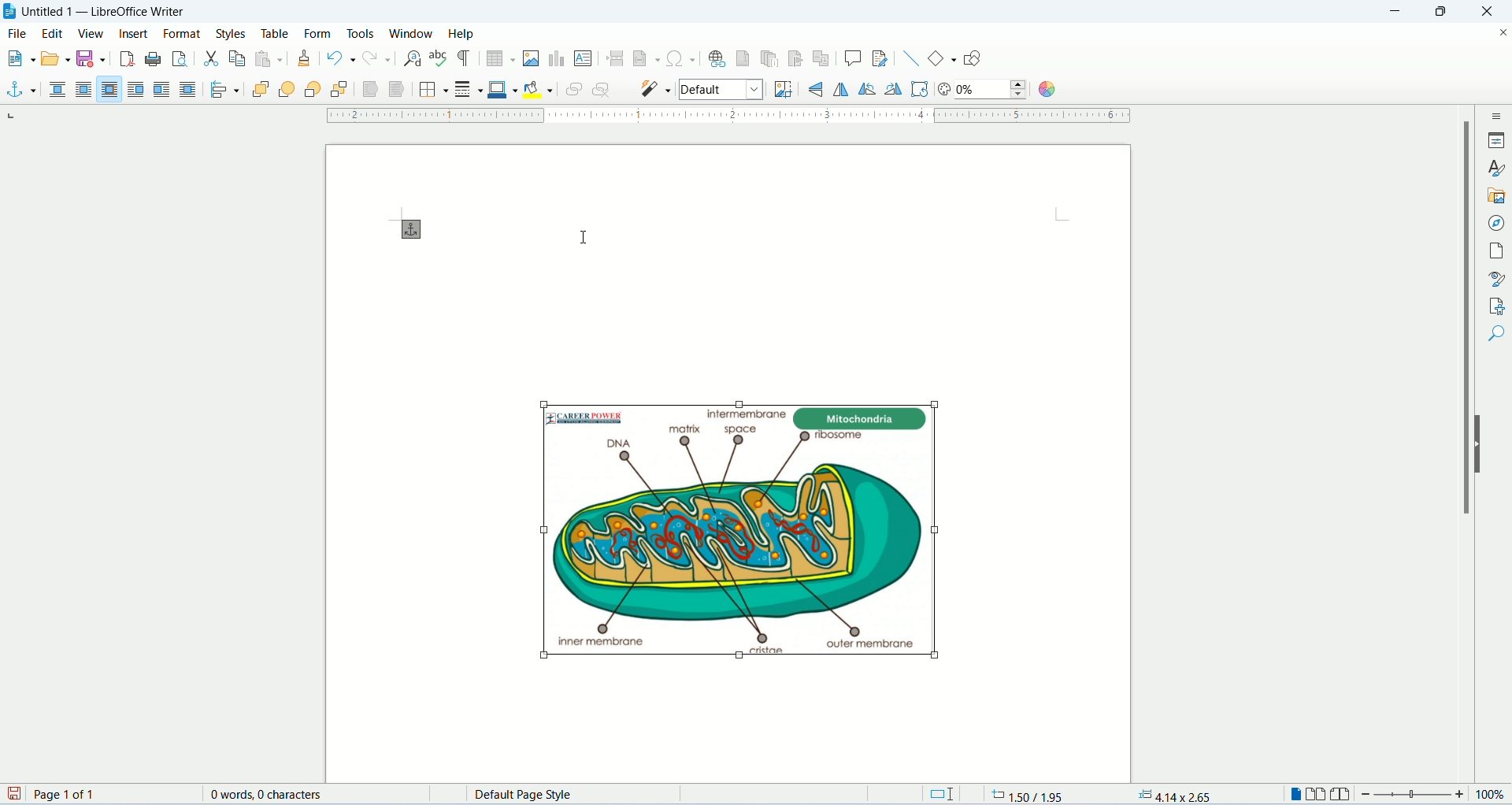  What do you see at coordinates (880, 58) in the screenshot?
I see `track changes` at bounding box center [880, 58].